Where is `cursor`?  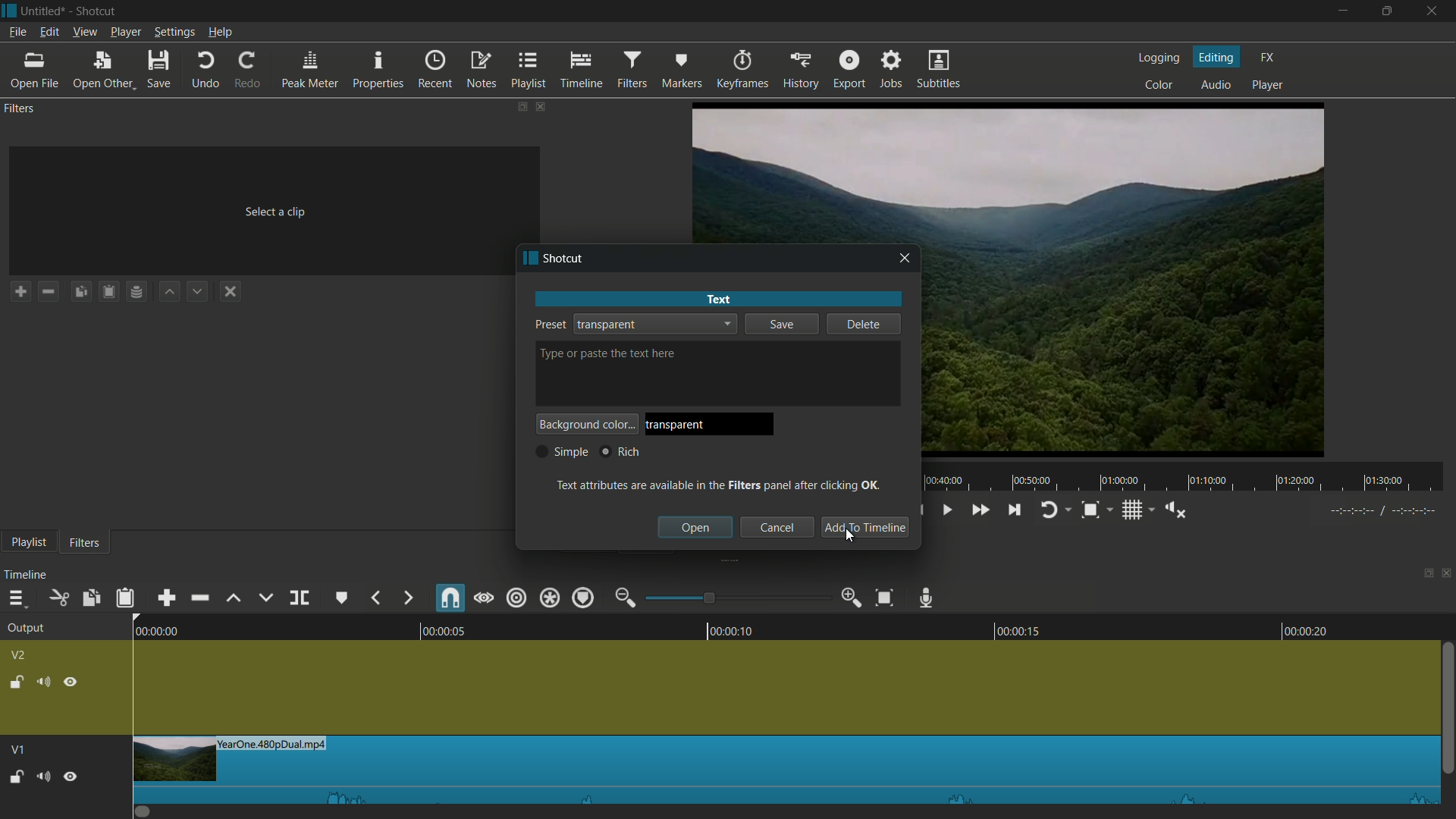
cursor is located at coordinates (850, 538).